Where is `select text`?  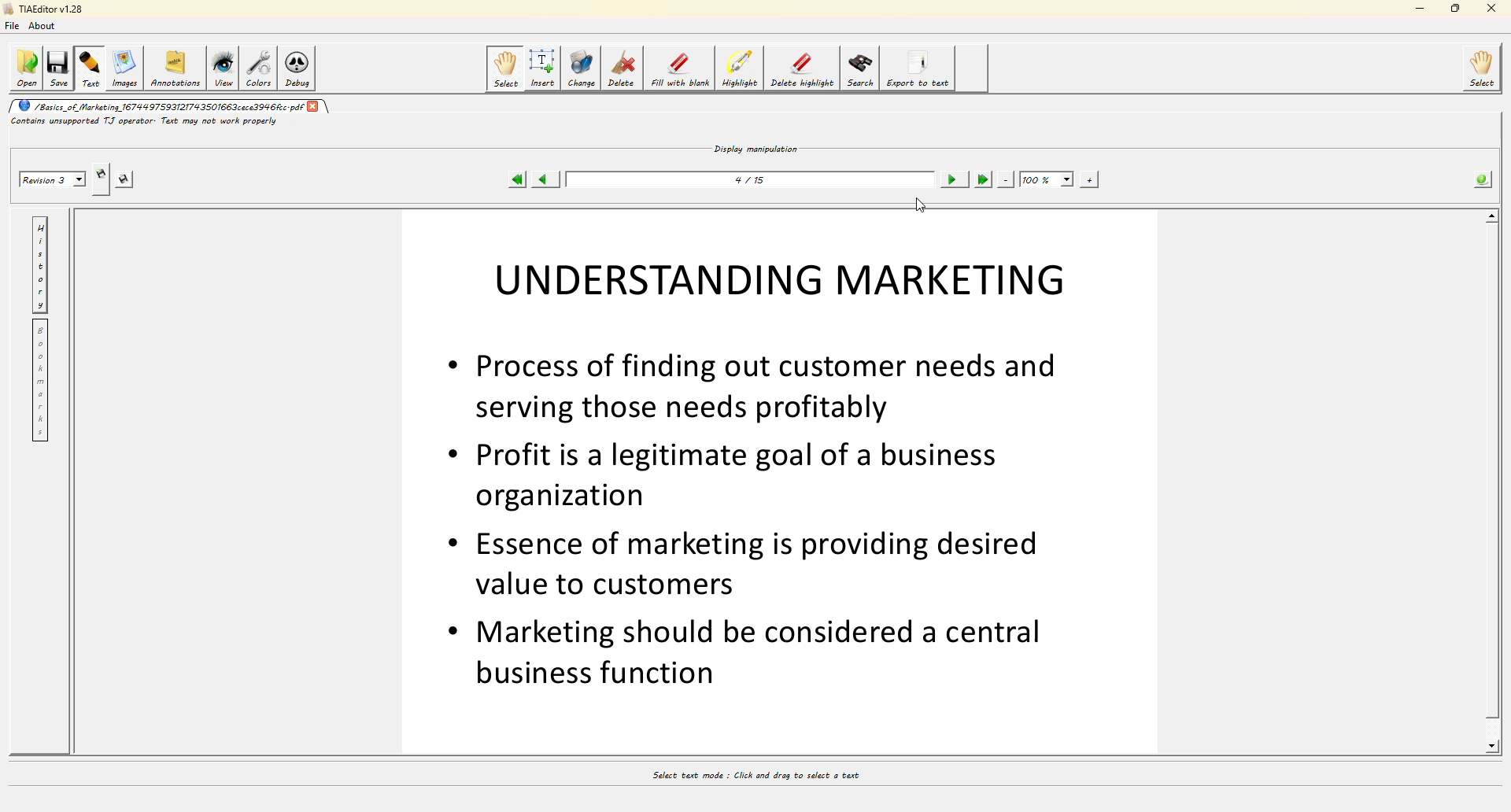
select text is located at coordinates (767, 777).